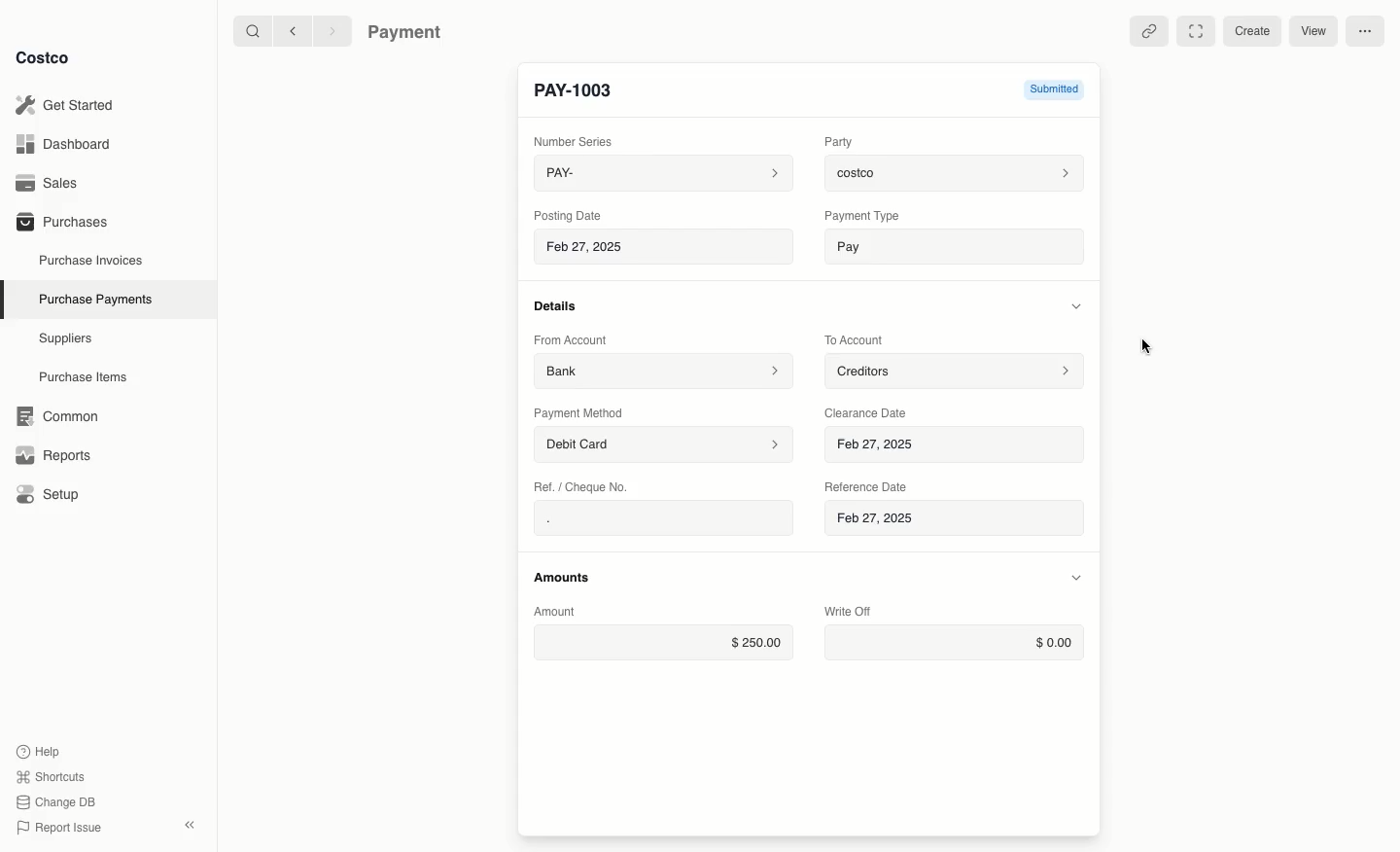  I want to click on Cursor, so click(1149, 345).